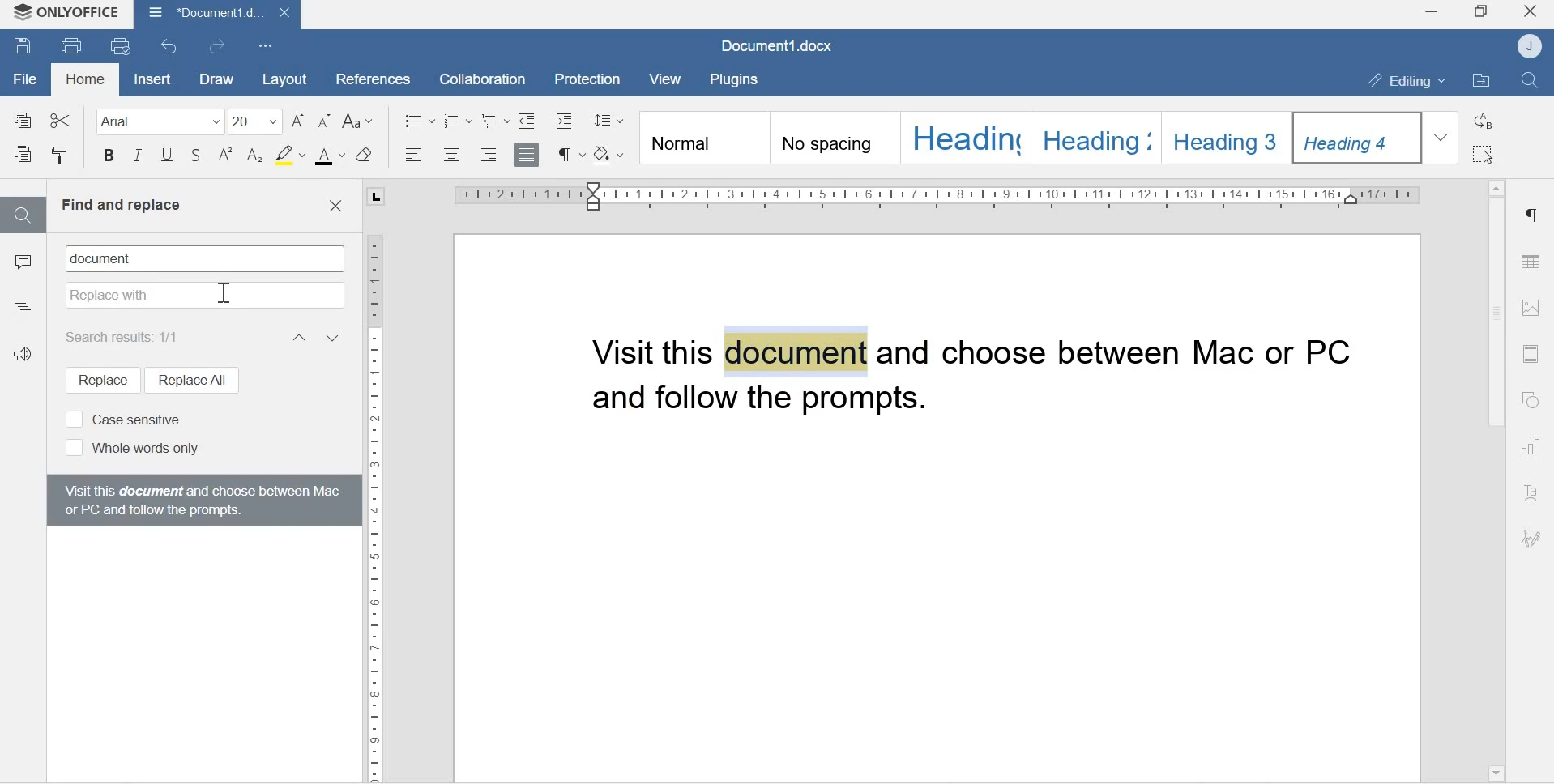 The height and width of the screenshot is (784, 1554). What do you see at coordinates (60, 156) in the screenshot?
I see `Copy style` at bounding box center [60, 156].